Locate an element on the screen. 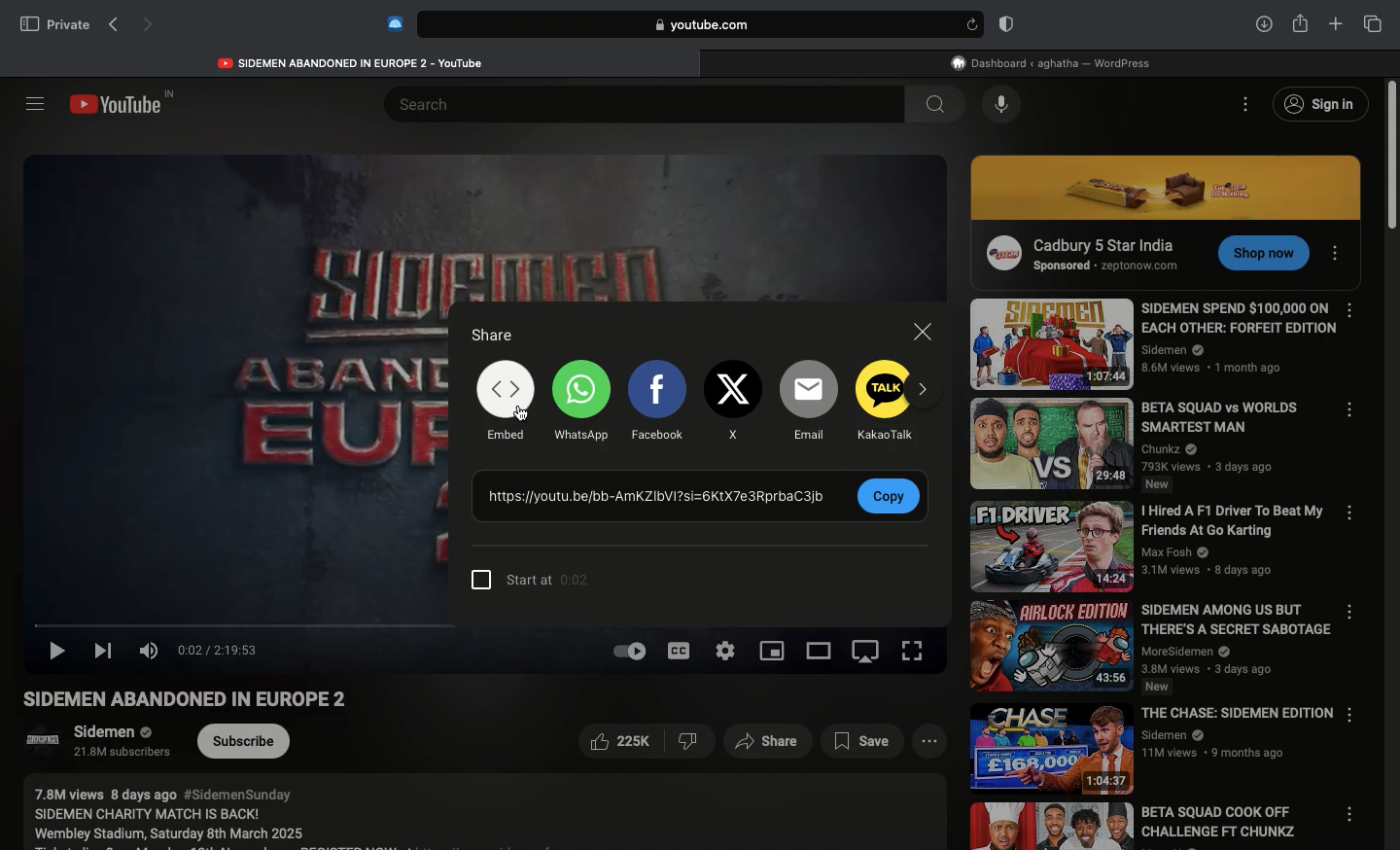  New tab is located at coordinates (1336, 24).